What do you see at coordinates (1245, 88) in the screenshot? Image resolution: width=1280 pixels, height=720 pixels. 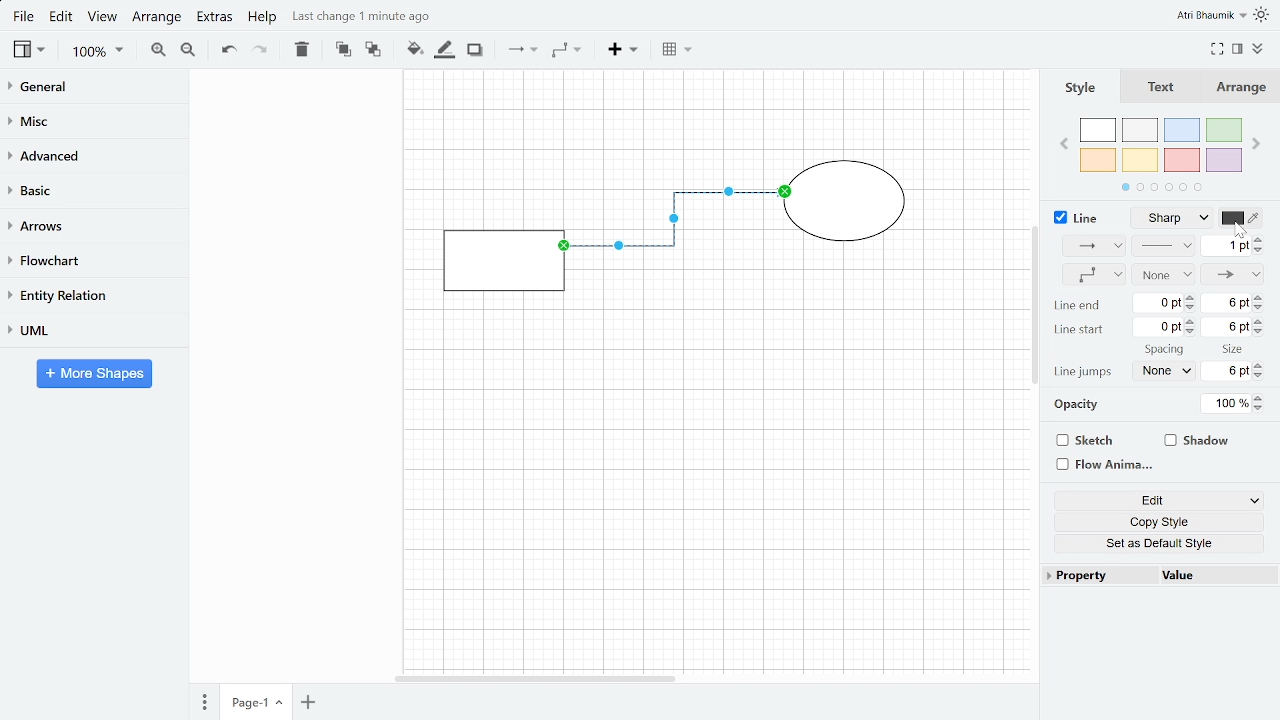 I see `Arrange` at bounding box center [1245, 88].